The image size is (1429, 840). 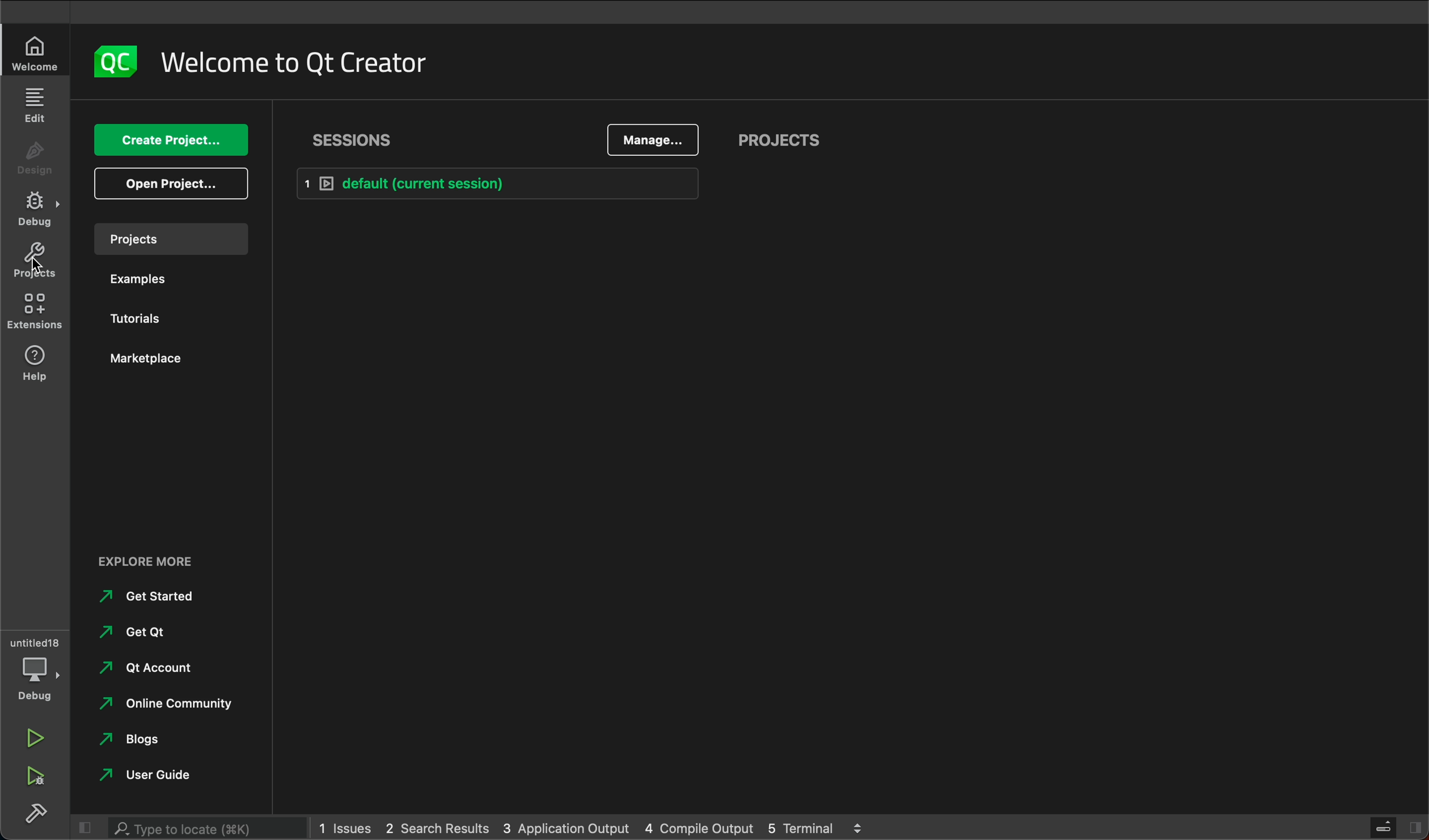 I want to click on help, so click(x=34, y=364).